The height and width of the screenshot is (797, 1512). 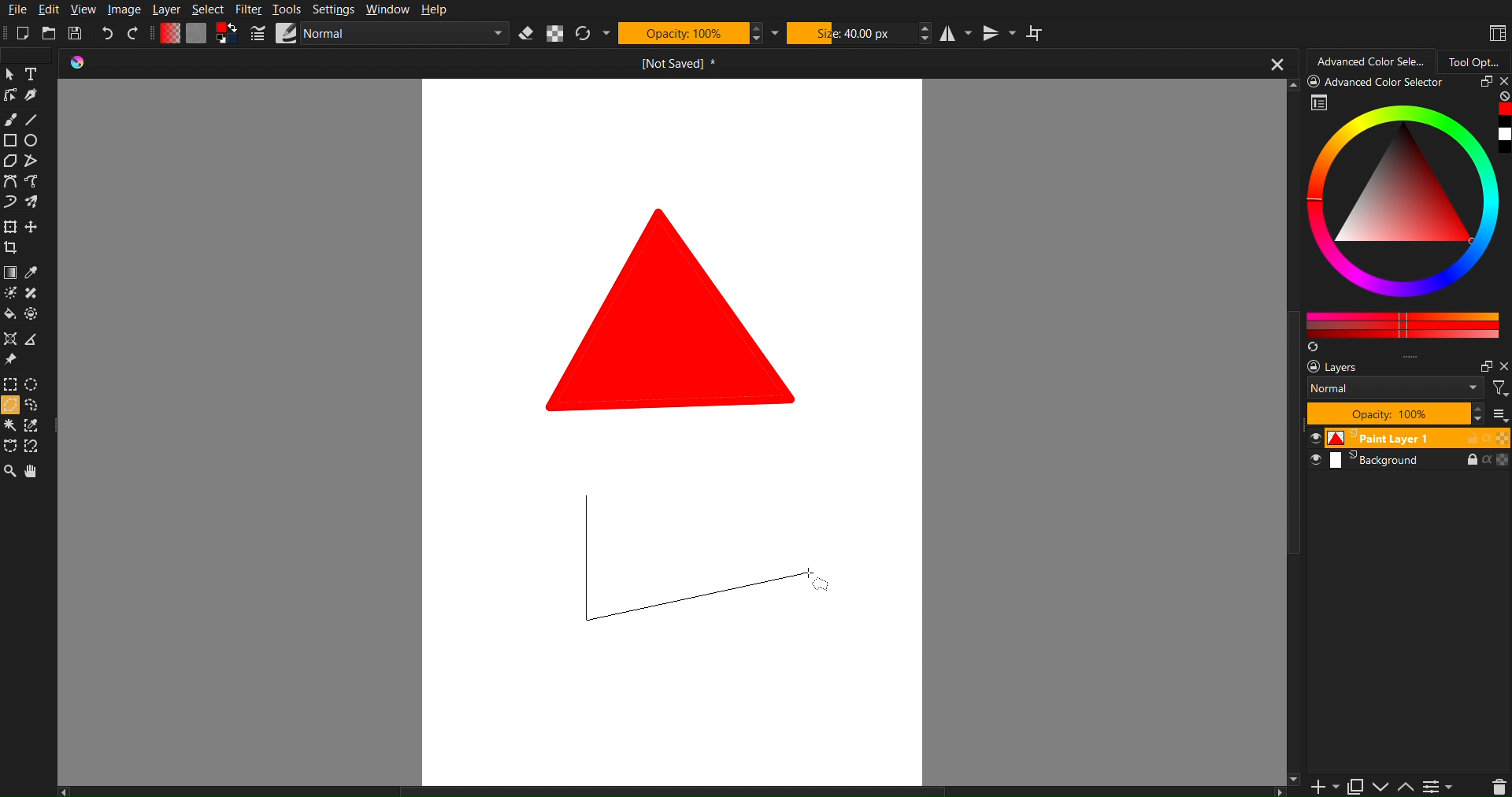 I want to click on Color Settings, so click(x=198, y=34).